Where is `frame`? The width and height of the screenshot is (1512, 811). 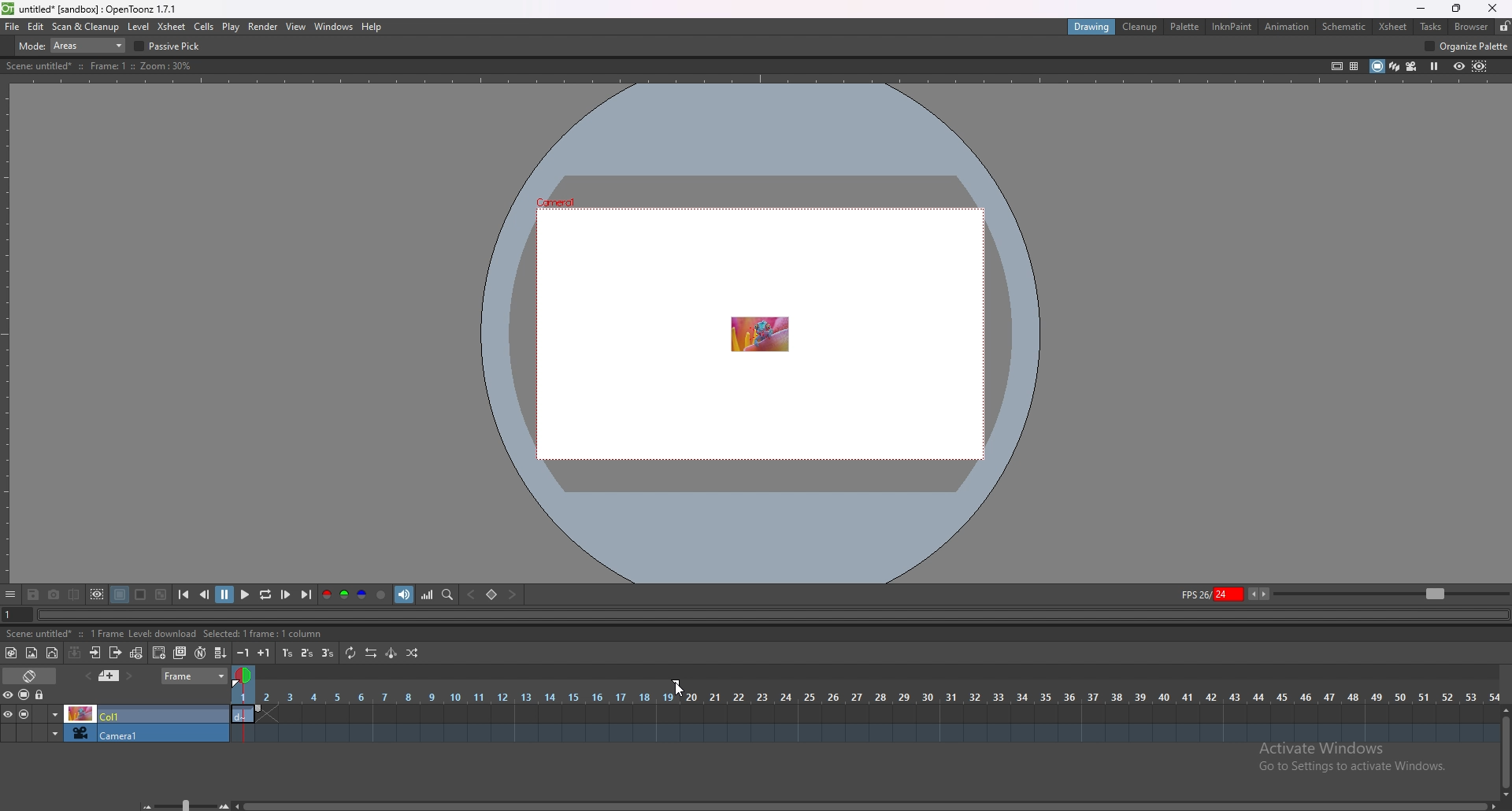 frame is located at coordinates (195, 676).